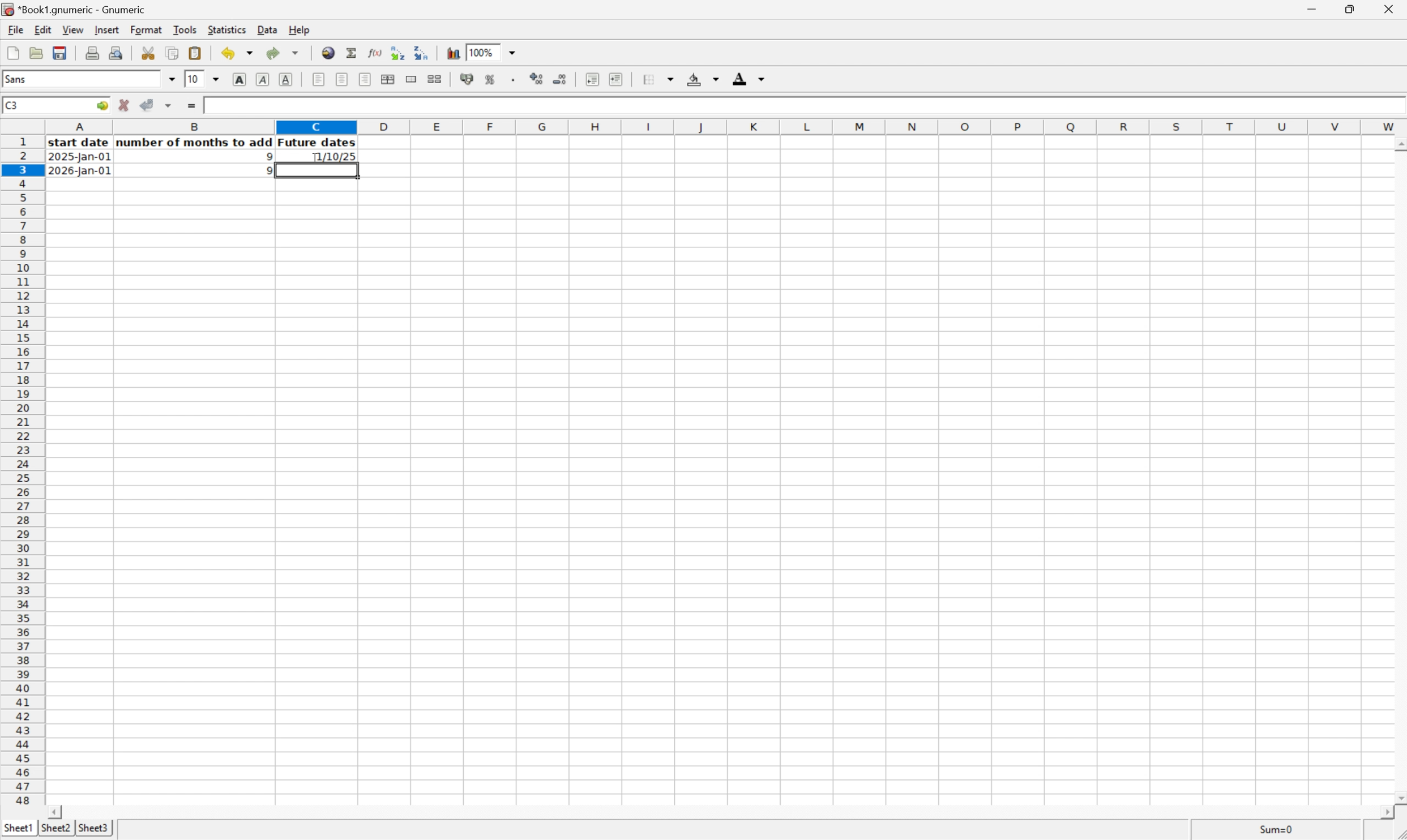 This screenshot has width=1407, height=840. I want to click on Drop Down, so click(173, 79).